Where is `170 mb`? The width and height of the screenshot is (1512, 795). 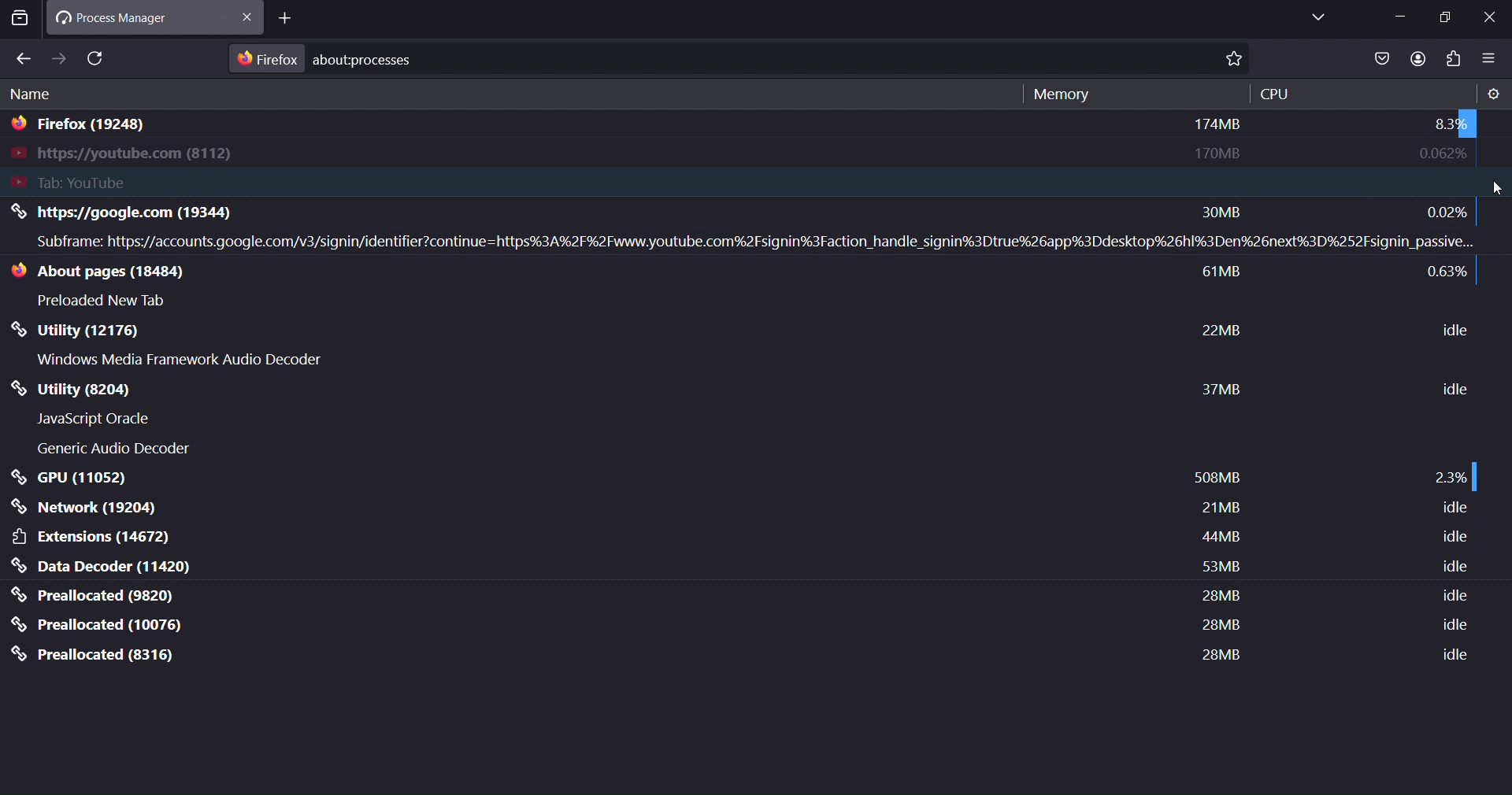 170 mb is located at coordinates (1216, 152).